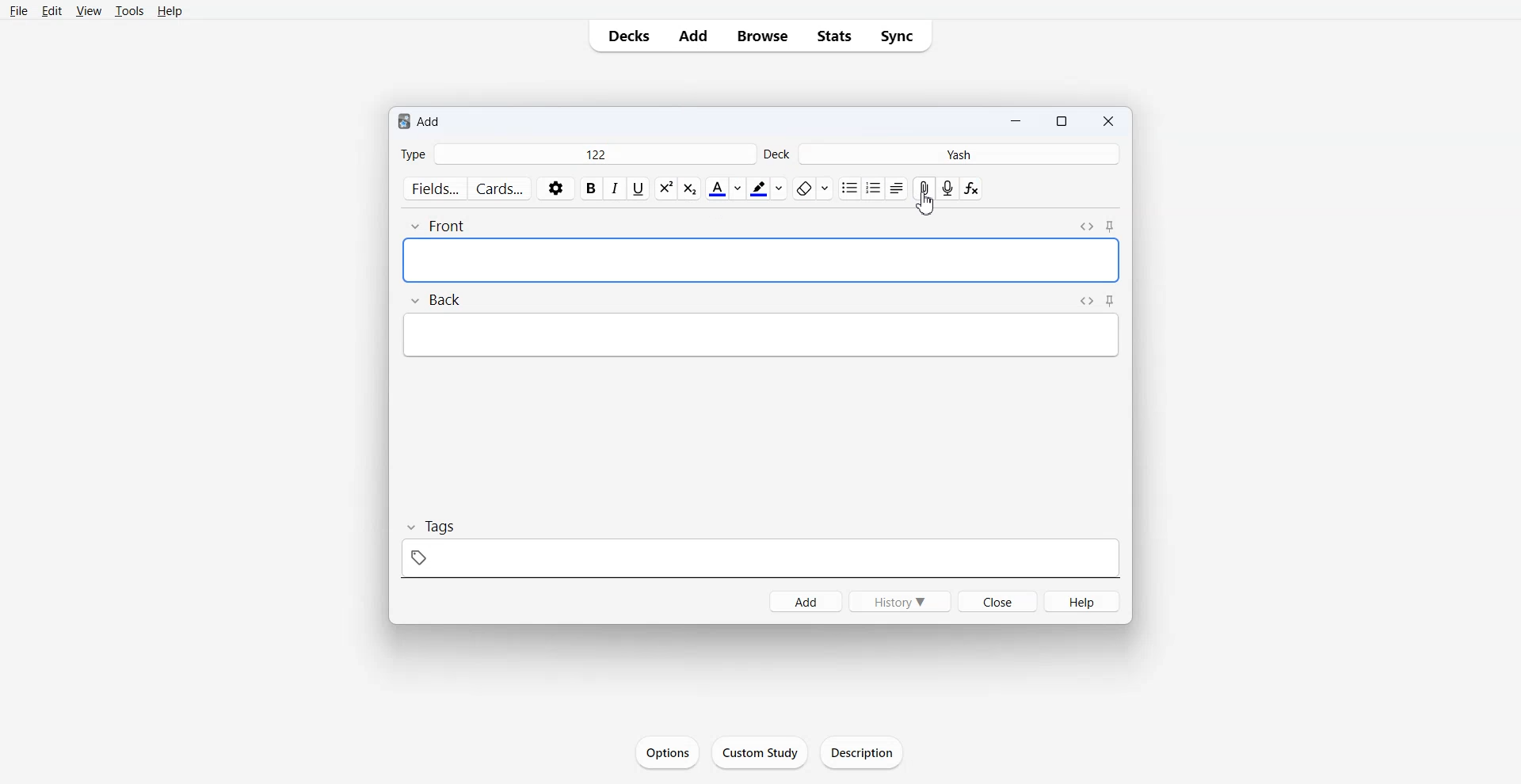 Image resolution: width=1521 pixels, height=784 pixels. Describe the element at coordinates (767, 188) in the screenshot. I see `Highlight text color` at that location.